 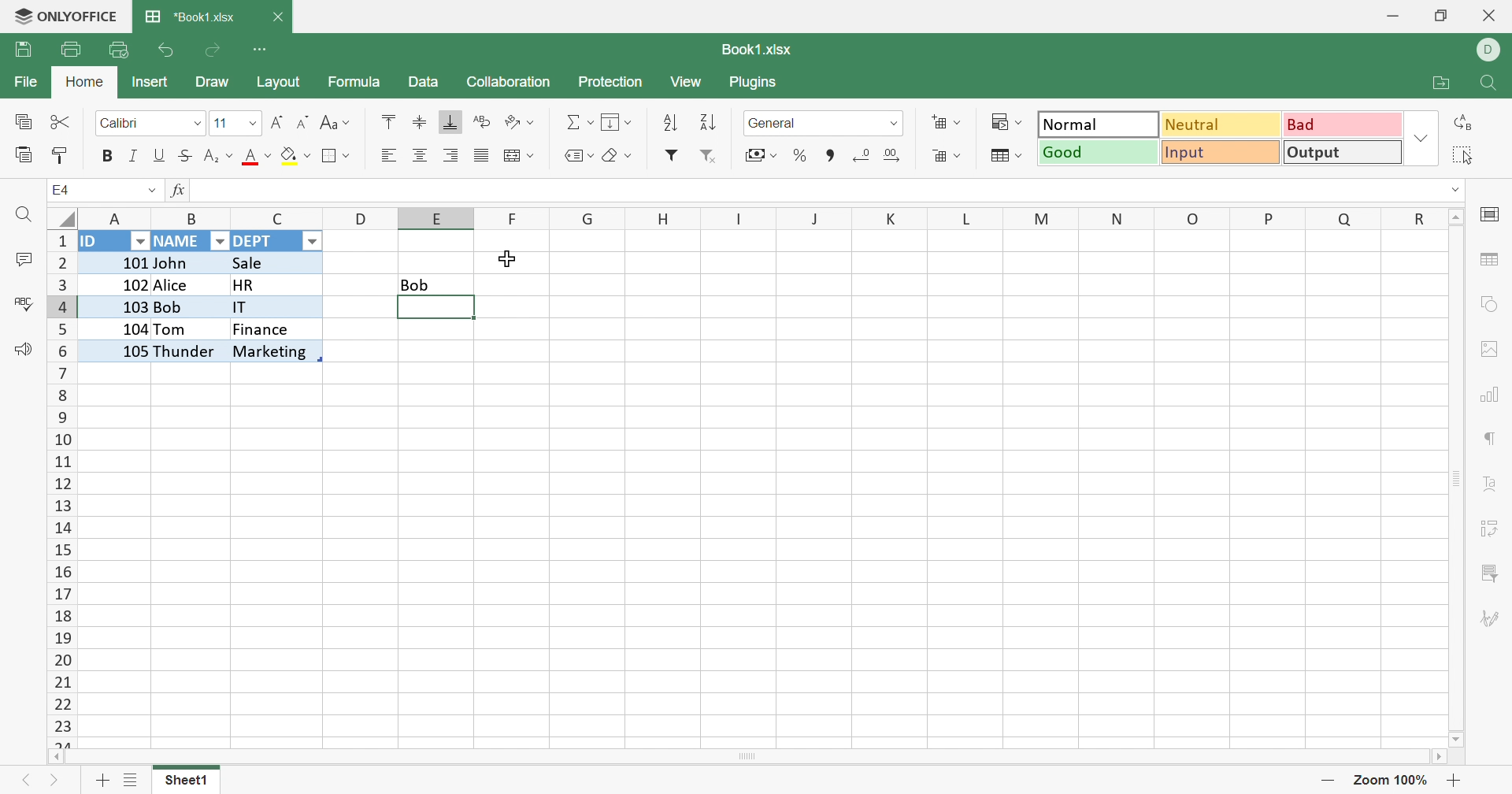 What do you see at coordinates (1391, 17) in the screenshot?
I see `Minimize` at bounding box center [1391, 17].